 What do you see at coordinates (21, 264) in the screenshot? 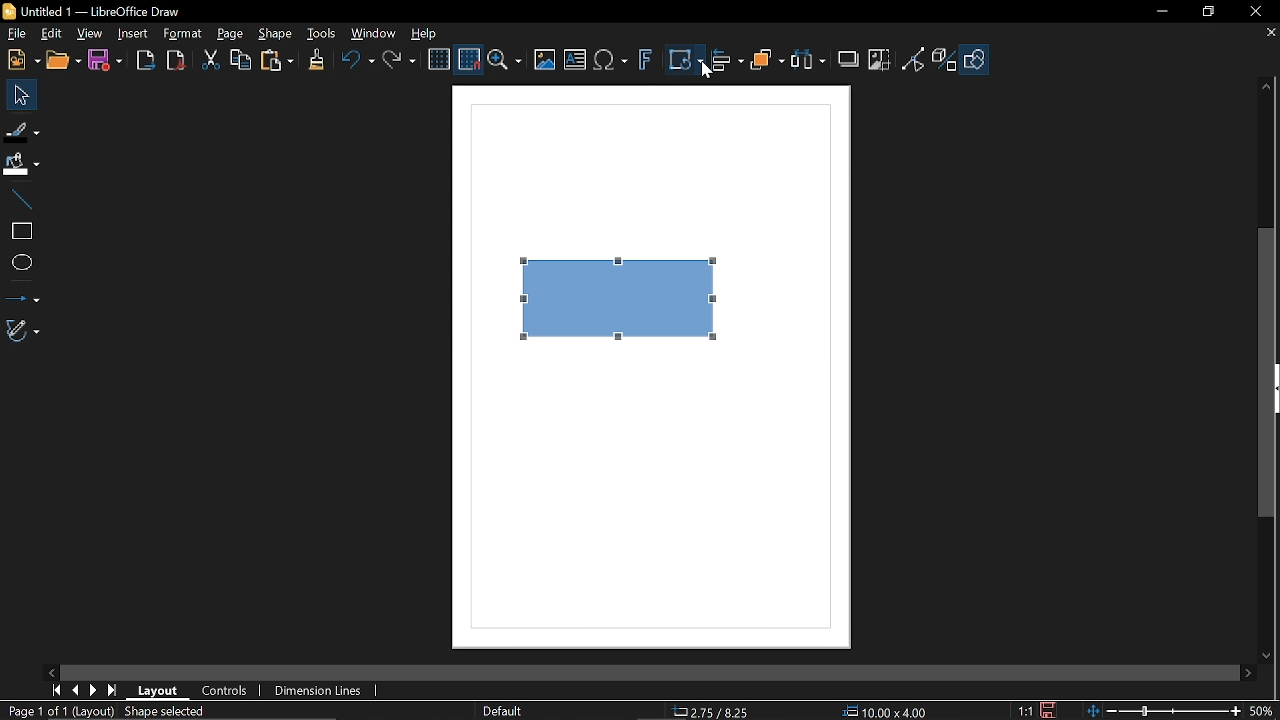
I see `Ellipse` at bounding box center [21, 264].